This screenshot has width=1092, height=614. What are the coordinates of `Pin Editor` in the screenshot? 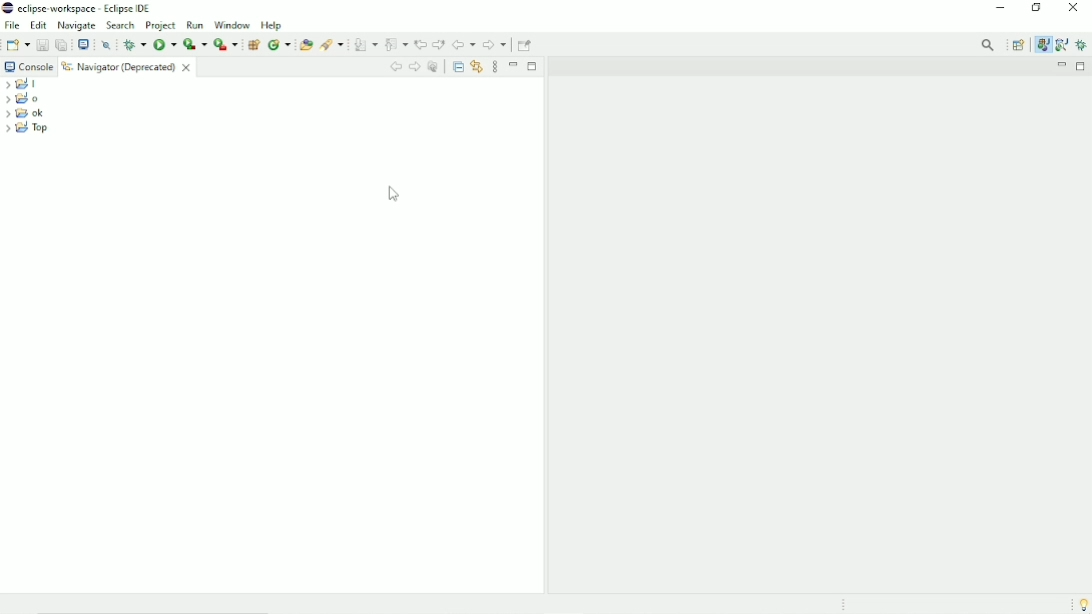 It's located at (526, 44).